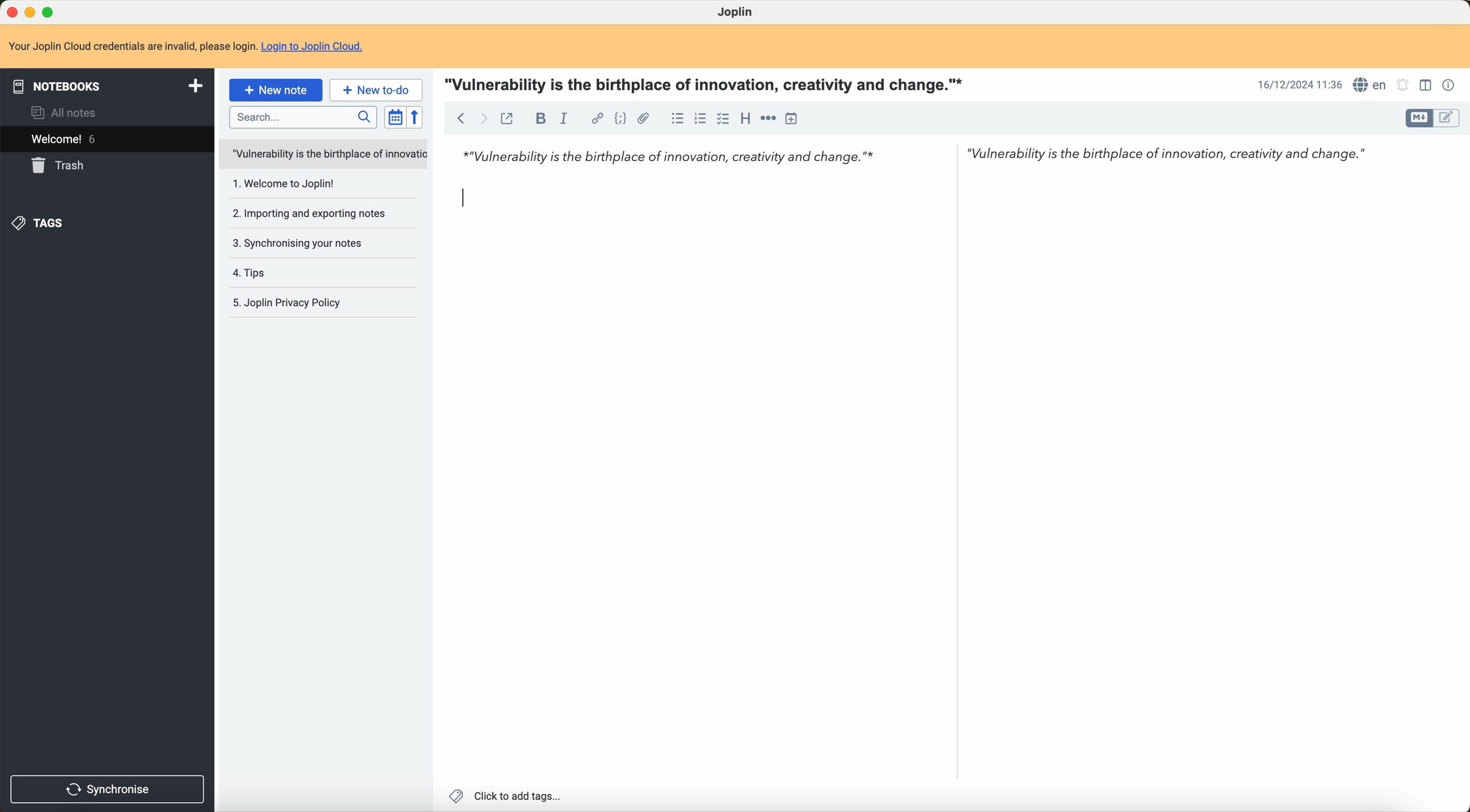  Describe the element at coordinates (466, 197) in the screenshot. I see `Input Cursor` at that location.